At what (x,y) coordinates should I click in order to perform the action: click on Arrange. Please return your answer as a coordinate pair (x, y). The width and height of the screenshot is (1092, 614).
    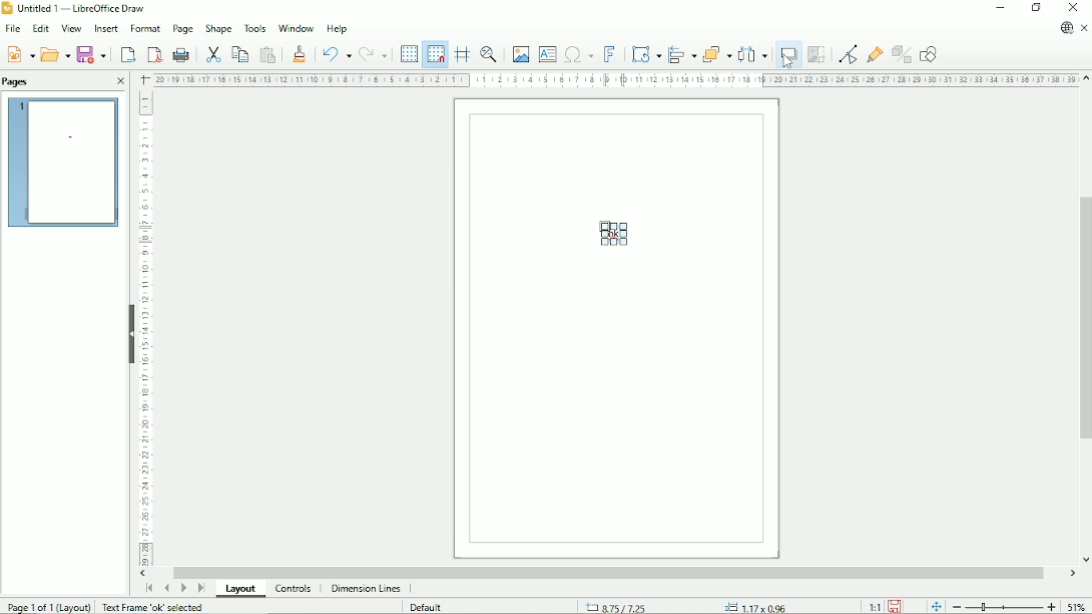
    Looking at the image, I should click on (716, 53).